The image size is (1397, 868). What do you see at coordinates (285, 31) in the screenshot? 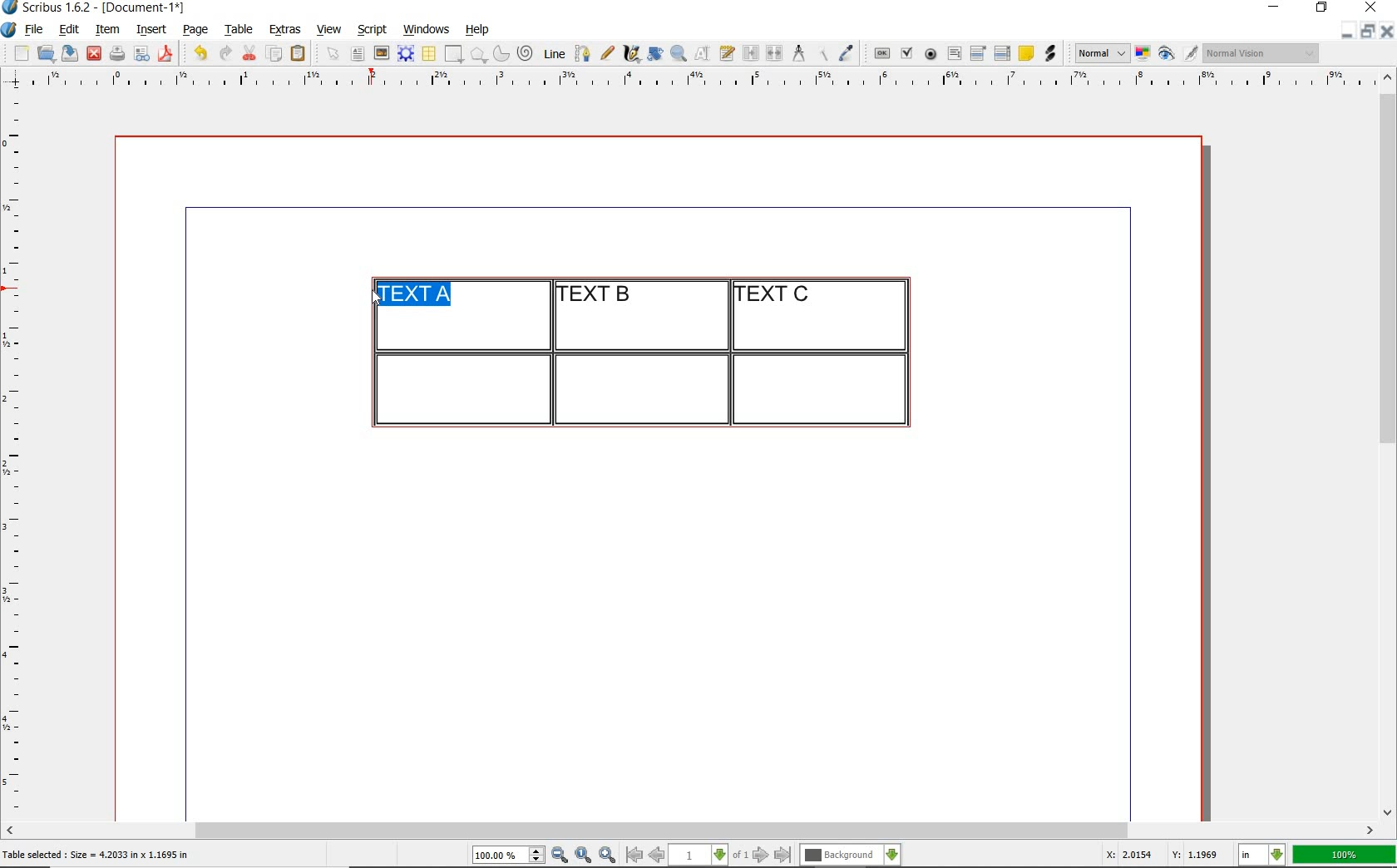
I see `extras` at bounding box center [285, 31].